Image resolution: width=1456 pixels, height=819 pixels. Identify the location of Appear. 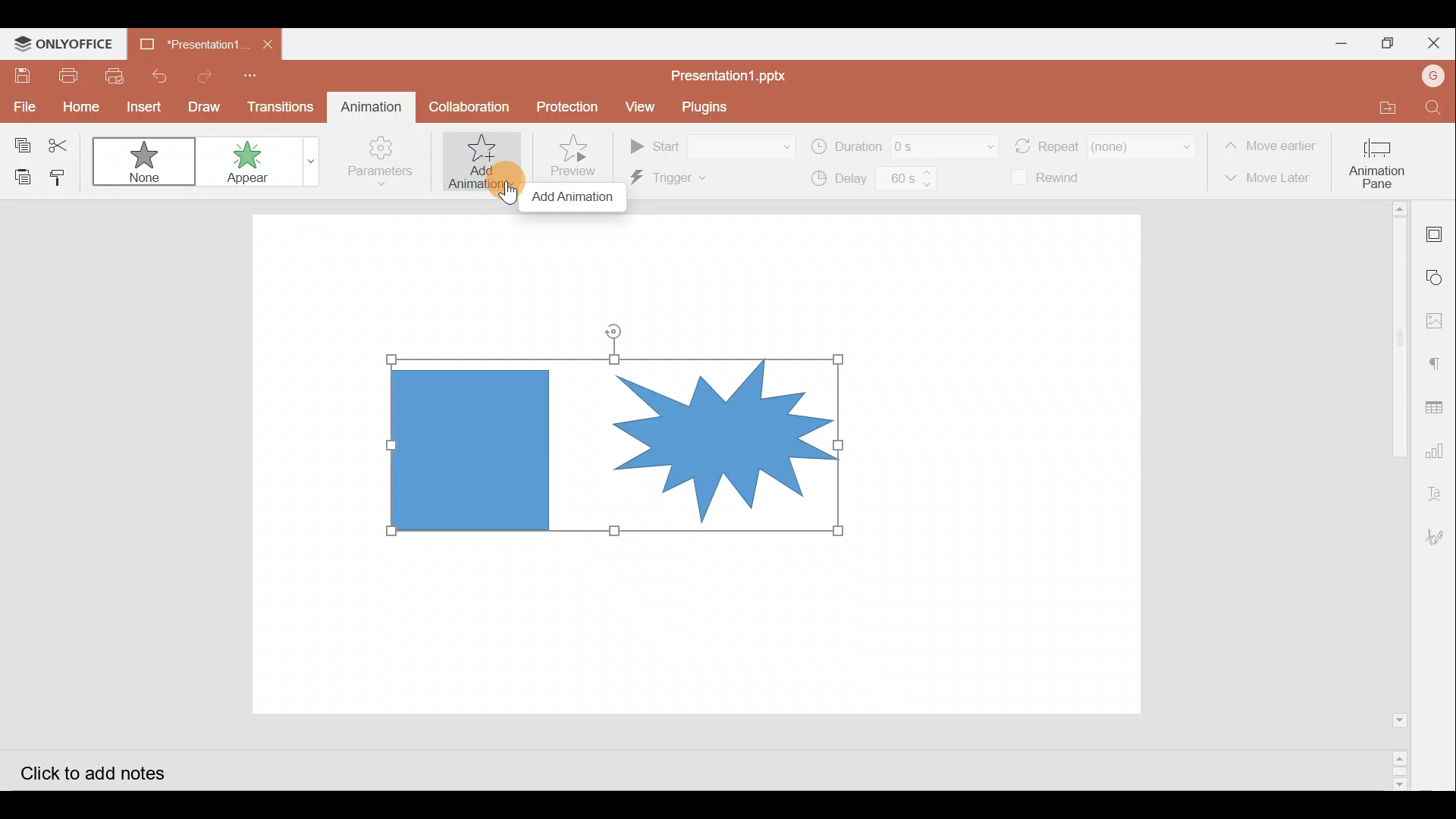
(245, 162).